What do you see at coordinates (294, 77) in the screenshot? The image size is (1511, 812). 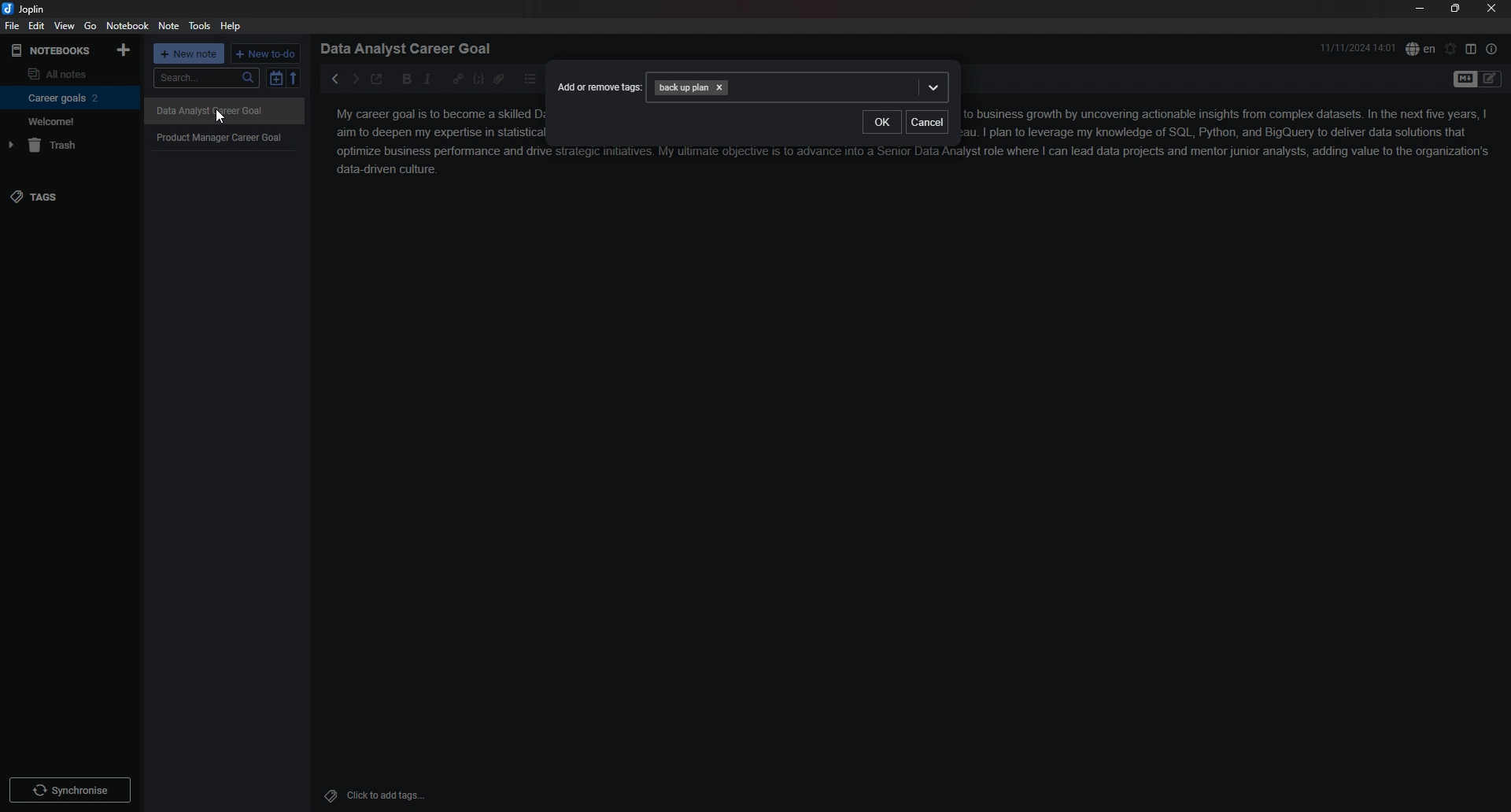 I see `reverse sort order` at bounding box center [294, 77].